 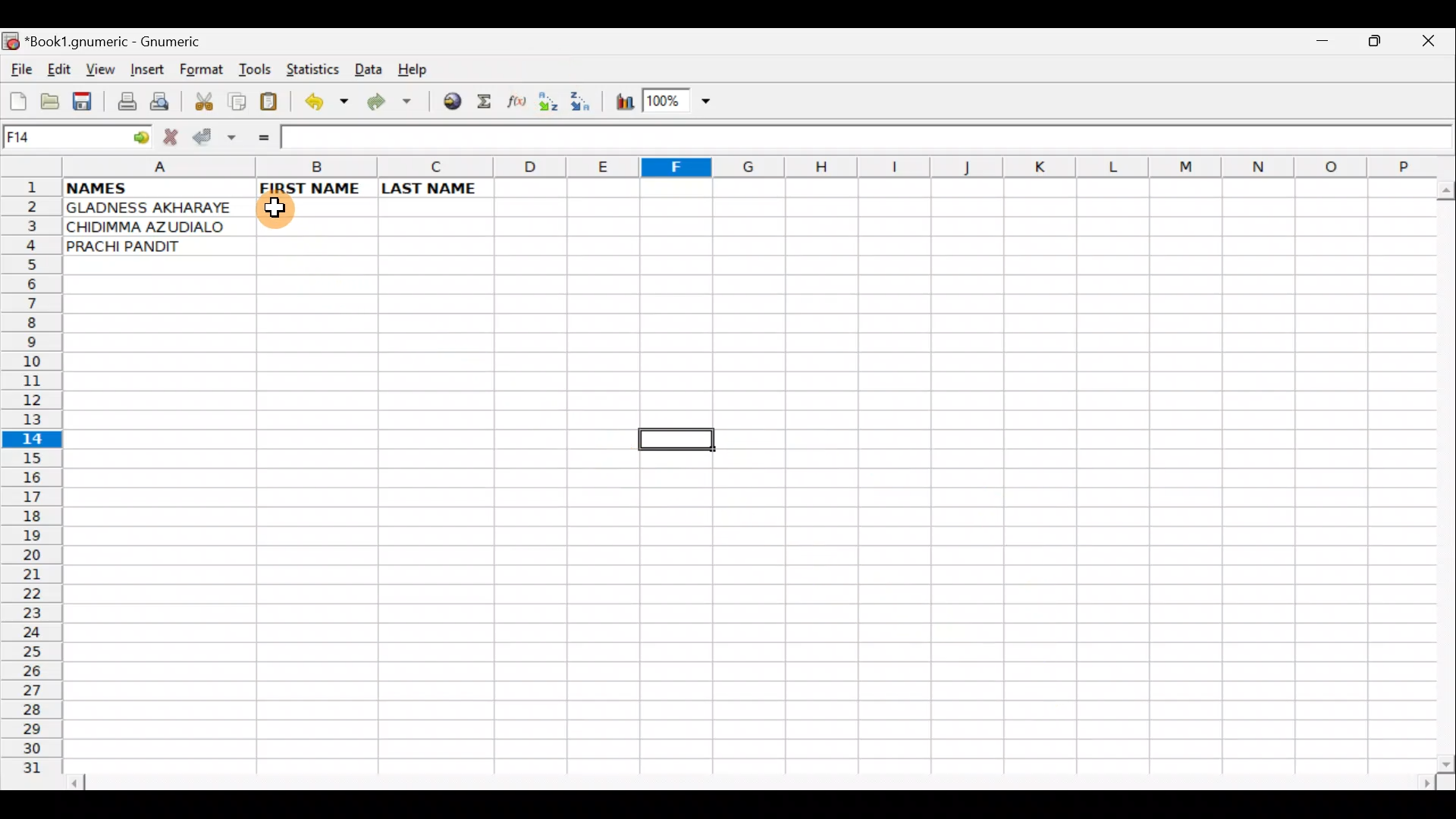 I want to click on Help, so click(x=413, y=70).